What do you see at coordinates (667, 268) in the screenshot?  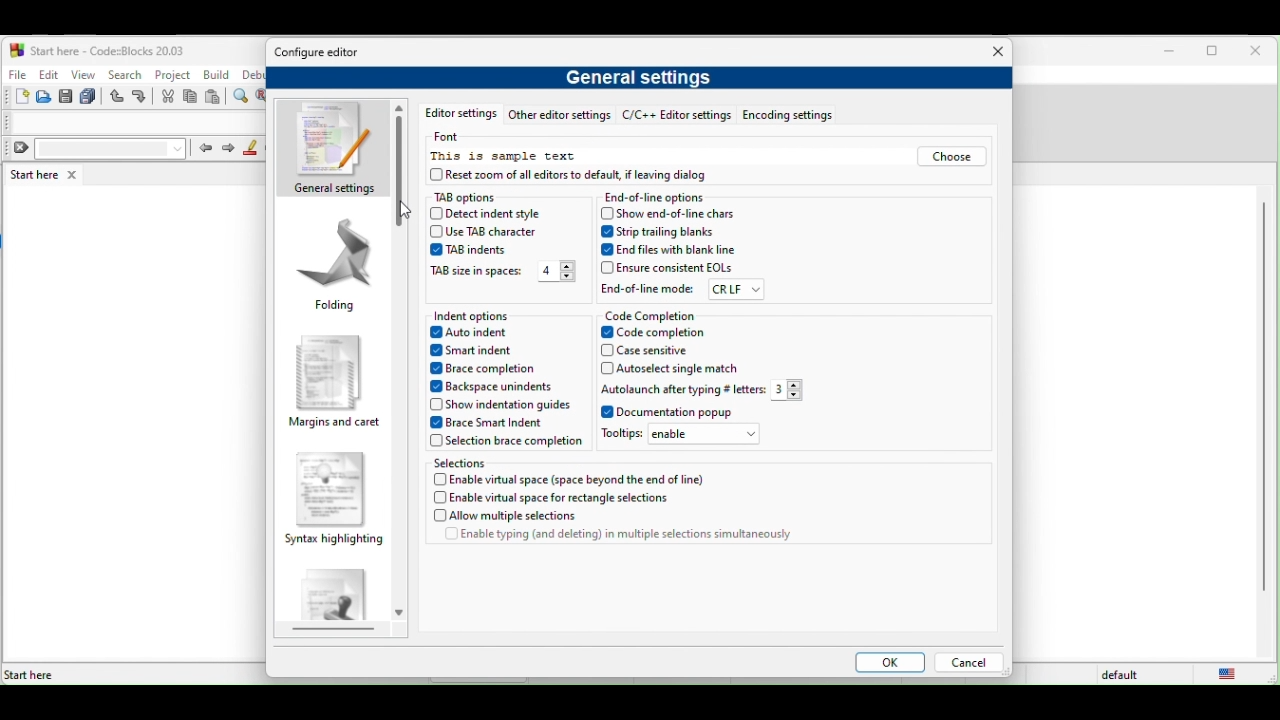 I see `ensure consistent eols` at bounding box center [667, 268].